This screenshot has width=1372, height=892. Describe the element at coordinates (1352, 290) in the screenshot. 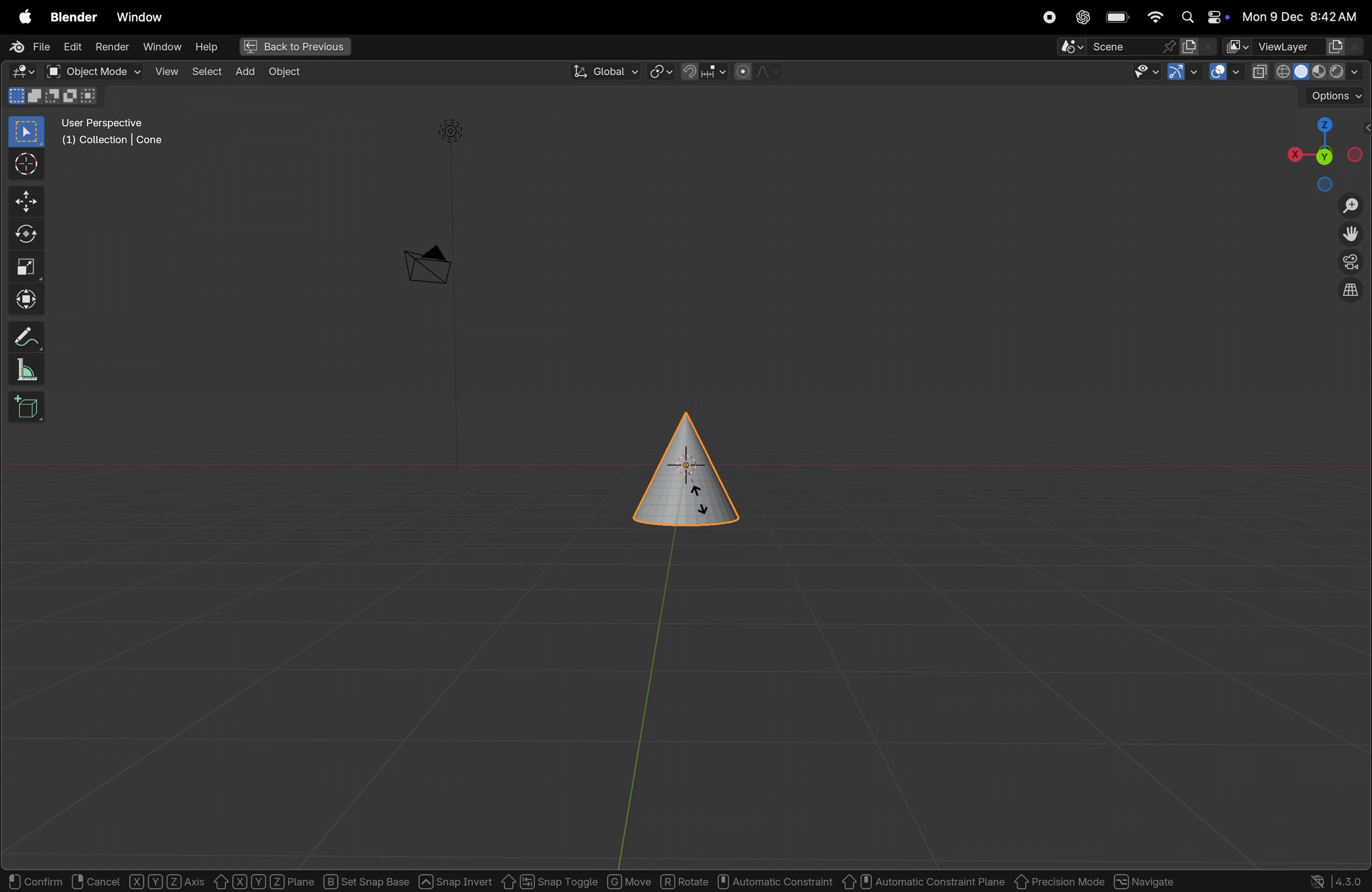

I see `orthographic projection` at that location.